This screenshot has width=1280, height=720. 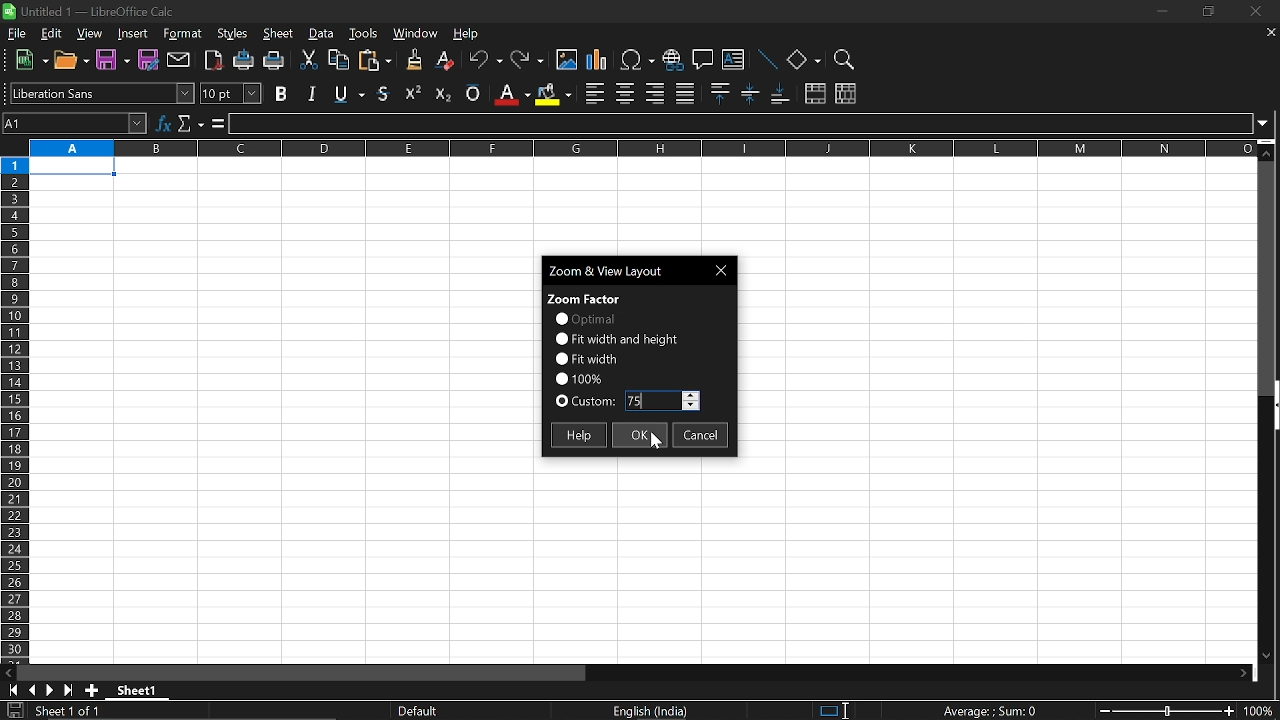 I want to click on justified, so click(x=686, y=94).